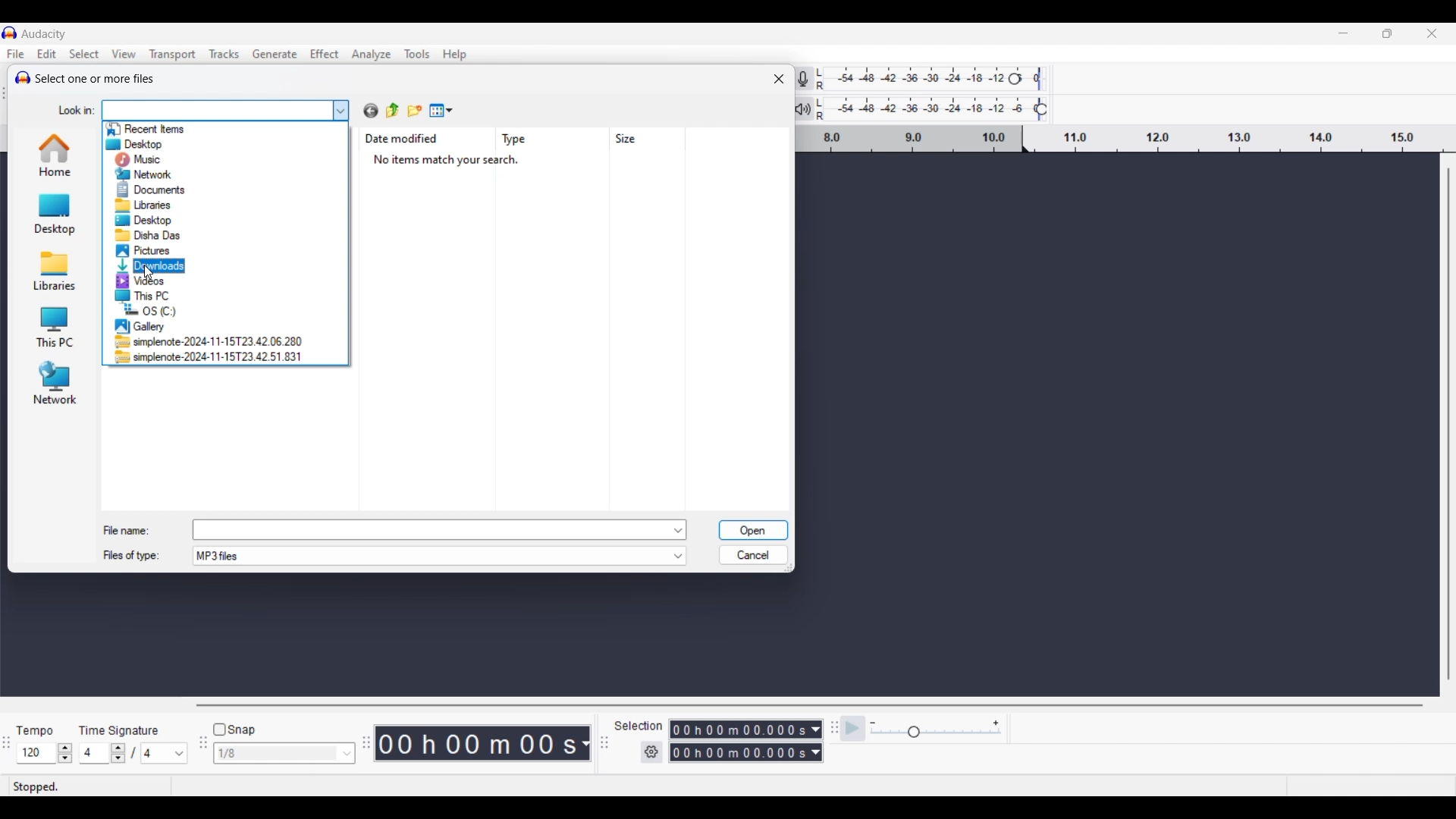  Describe the element at coordinates (873, 723) in the screenshot. I see `Min. playback speed` at that location.